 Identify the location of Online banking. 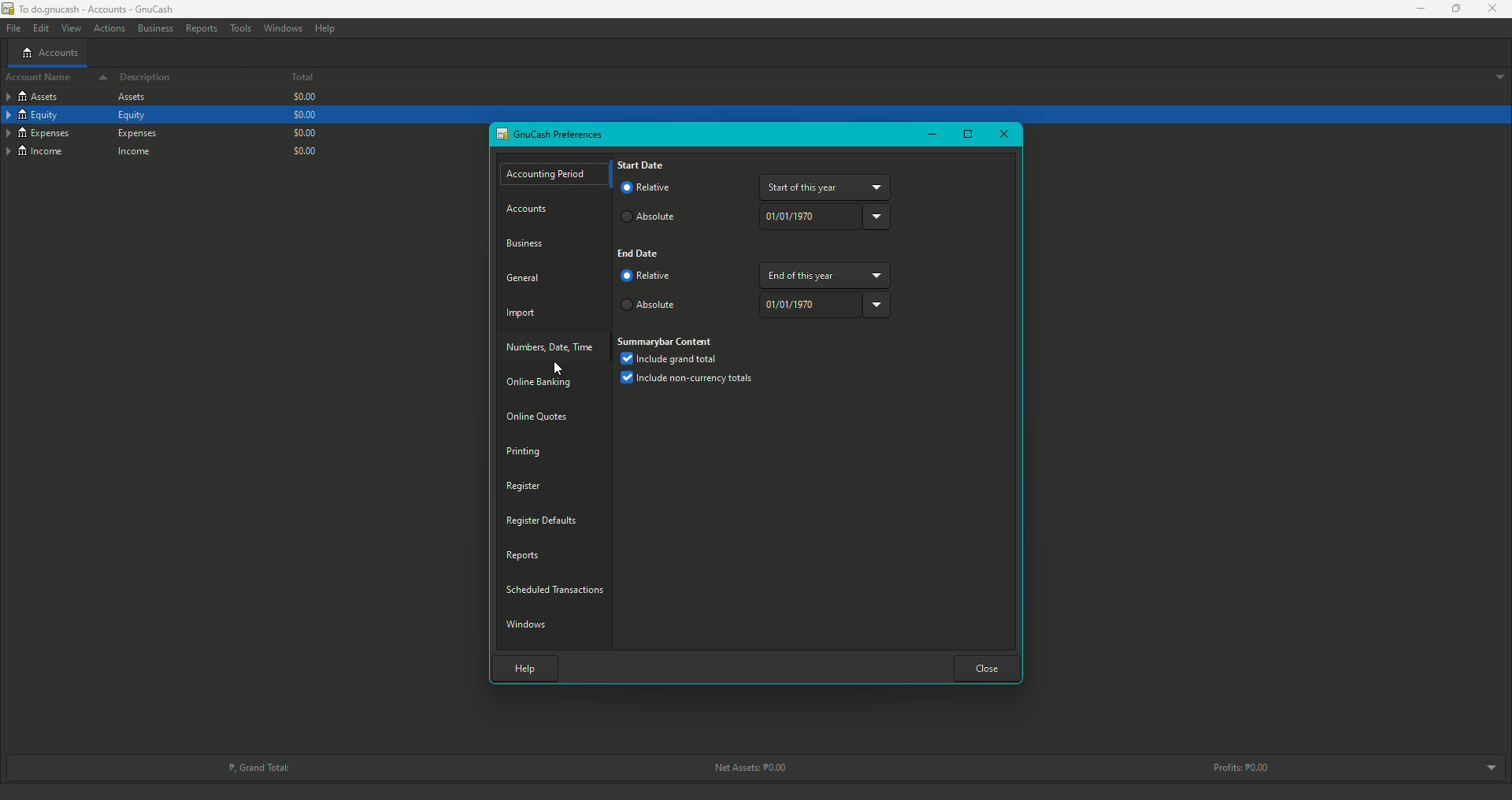
(541, 383).